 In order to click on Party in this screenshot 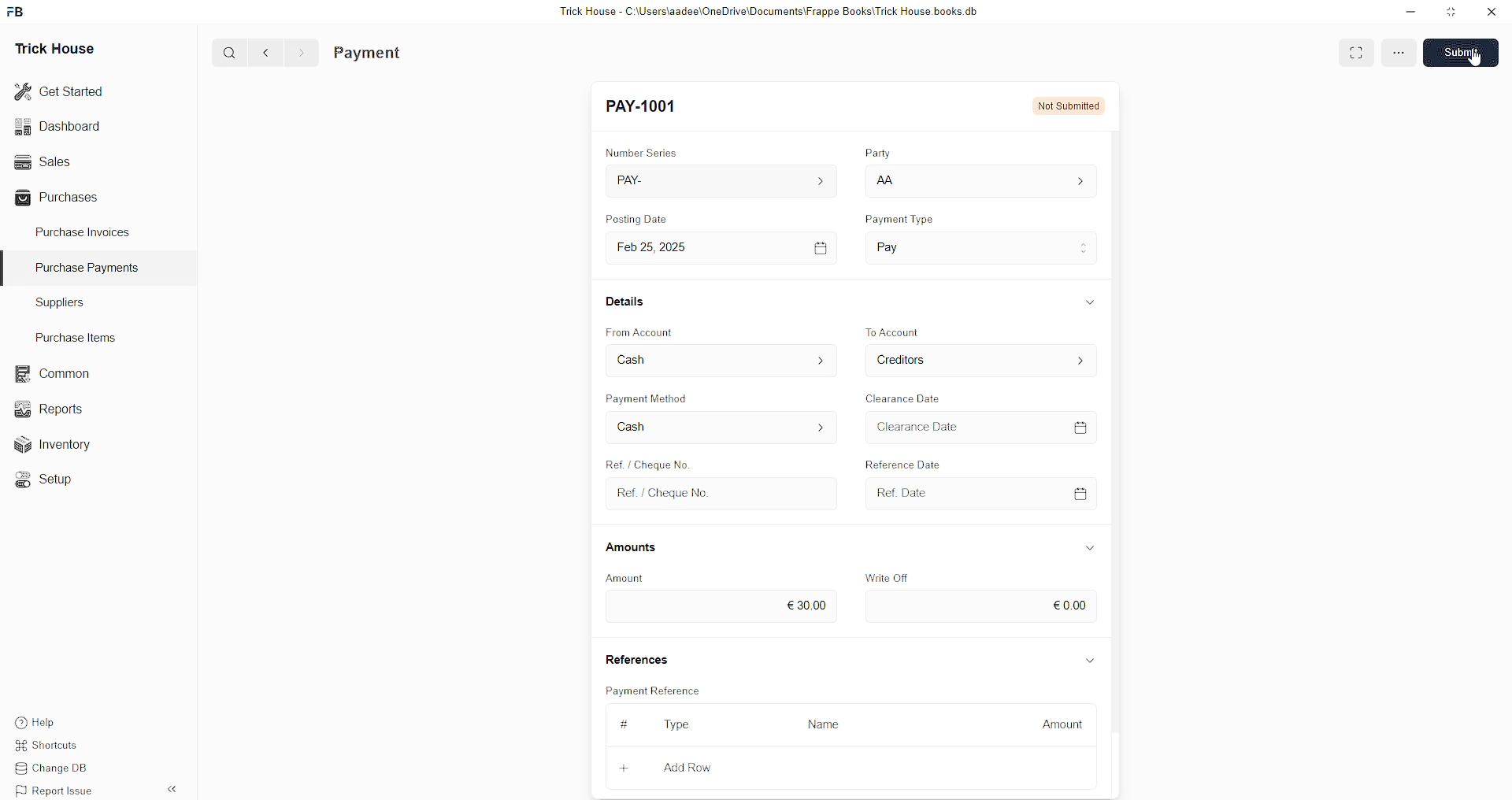, I will do `click(876, 154)`.